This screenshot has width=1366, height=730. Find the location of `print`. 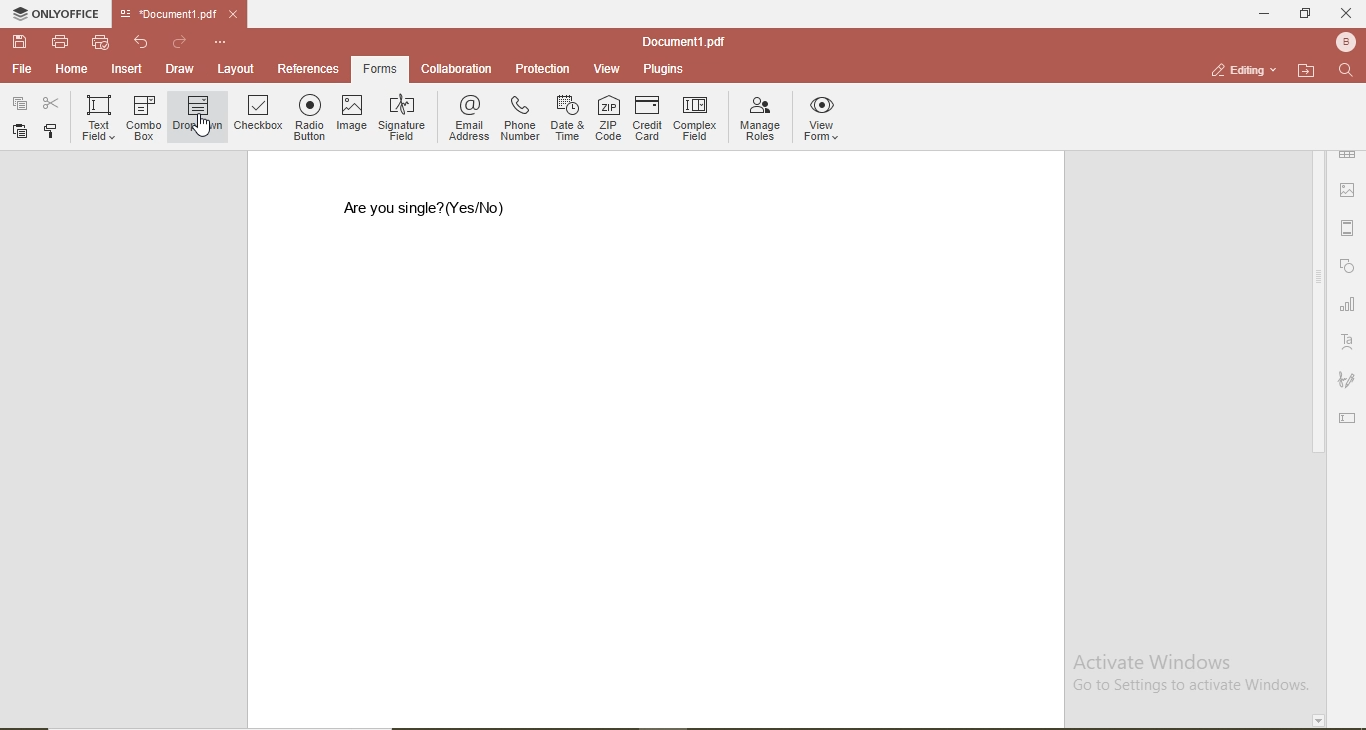

print is located at coordinates (62, 43).